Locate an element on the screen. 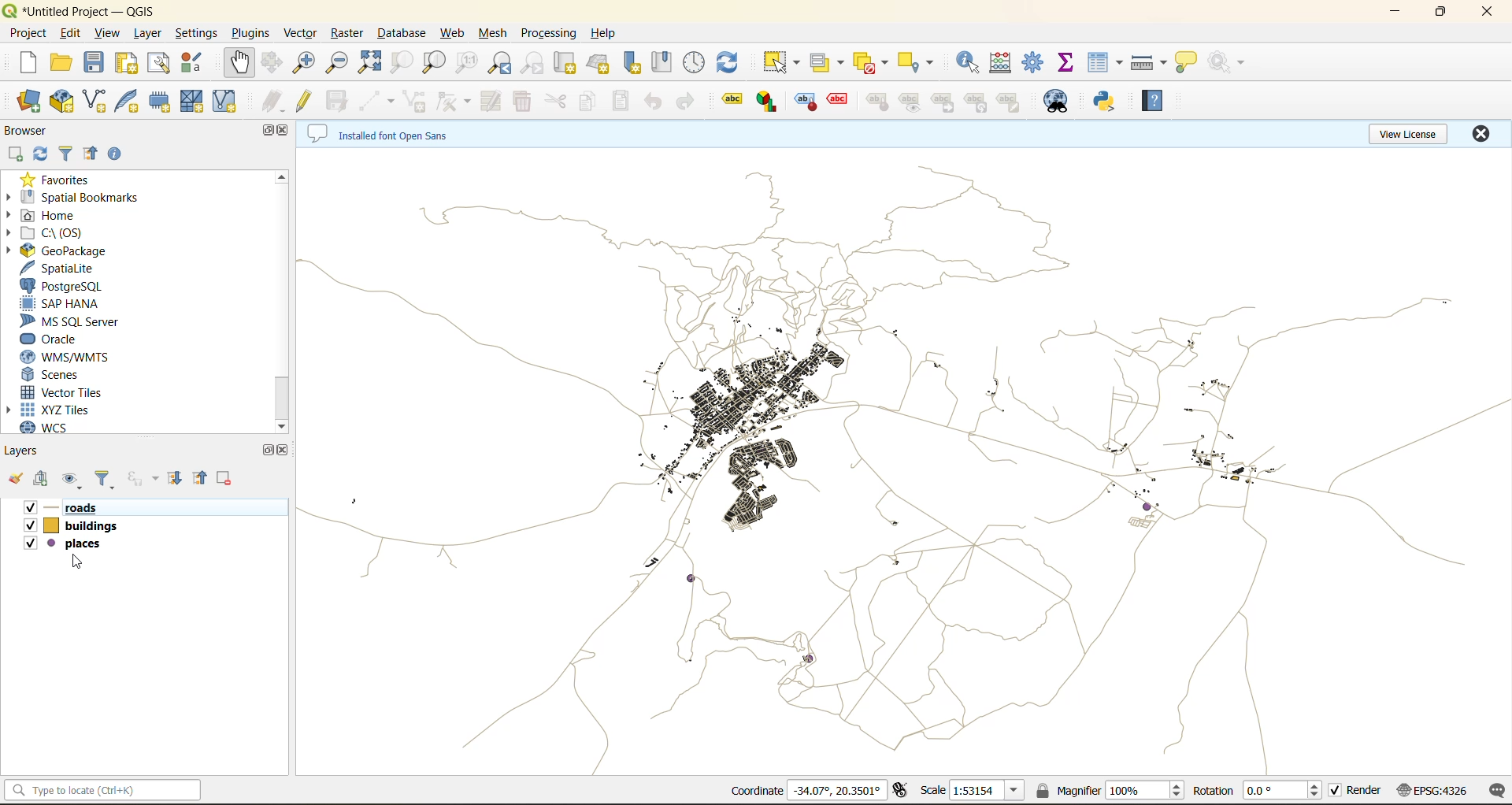  new geopackage is located at coordinates (61, 102).